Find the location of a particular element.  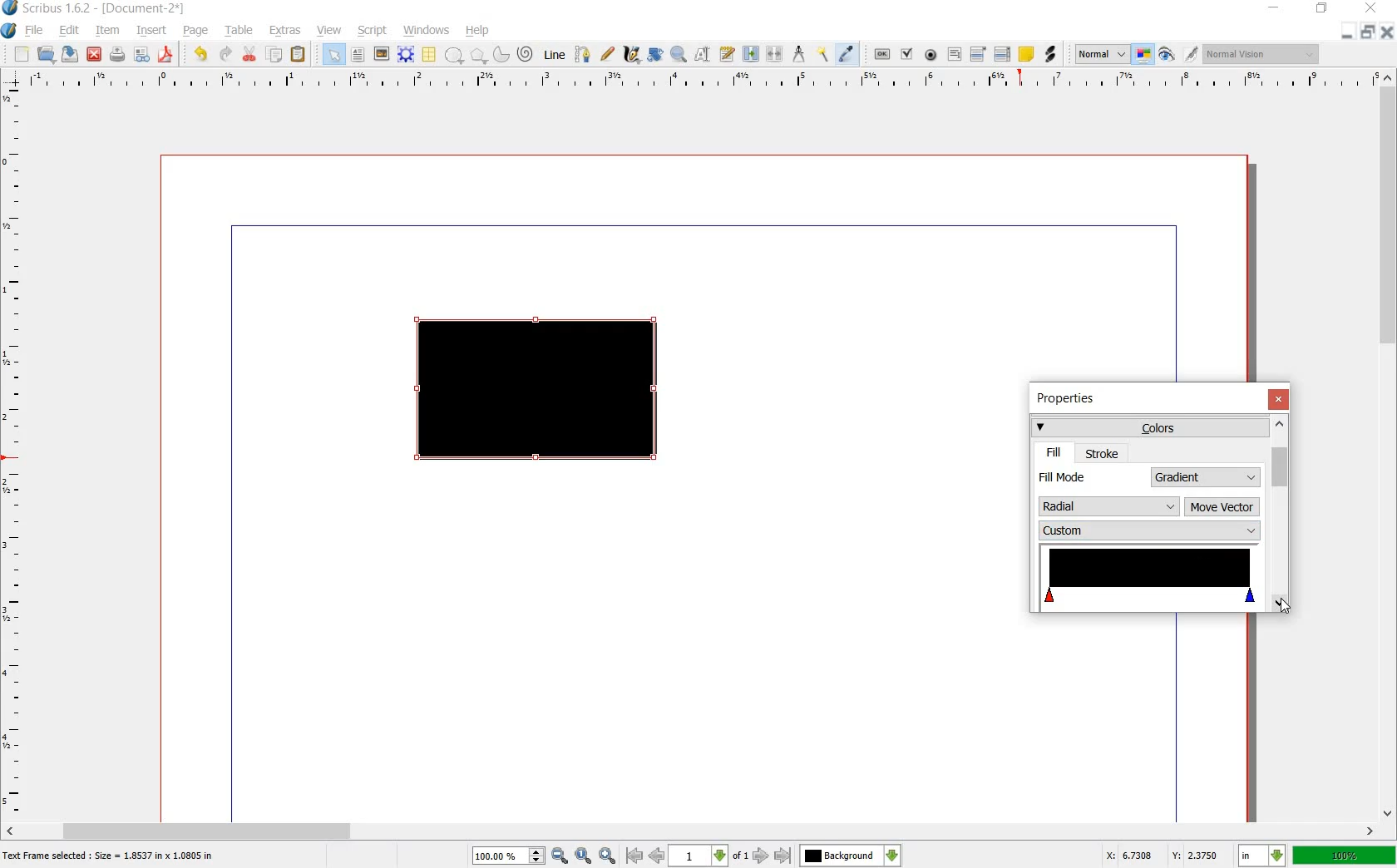

ruler is located at coordinates (696, 81).